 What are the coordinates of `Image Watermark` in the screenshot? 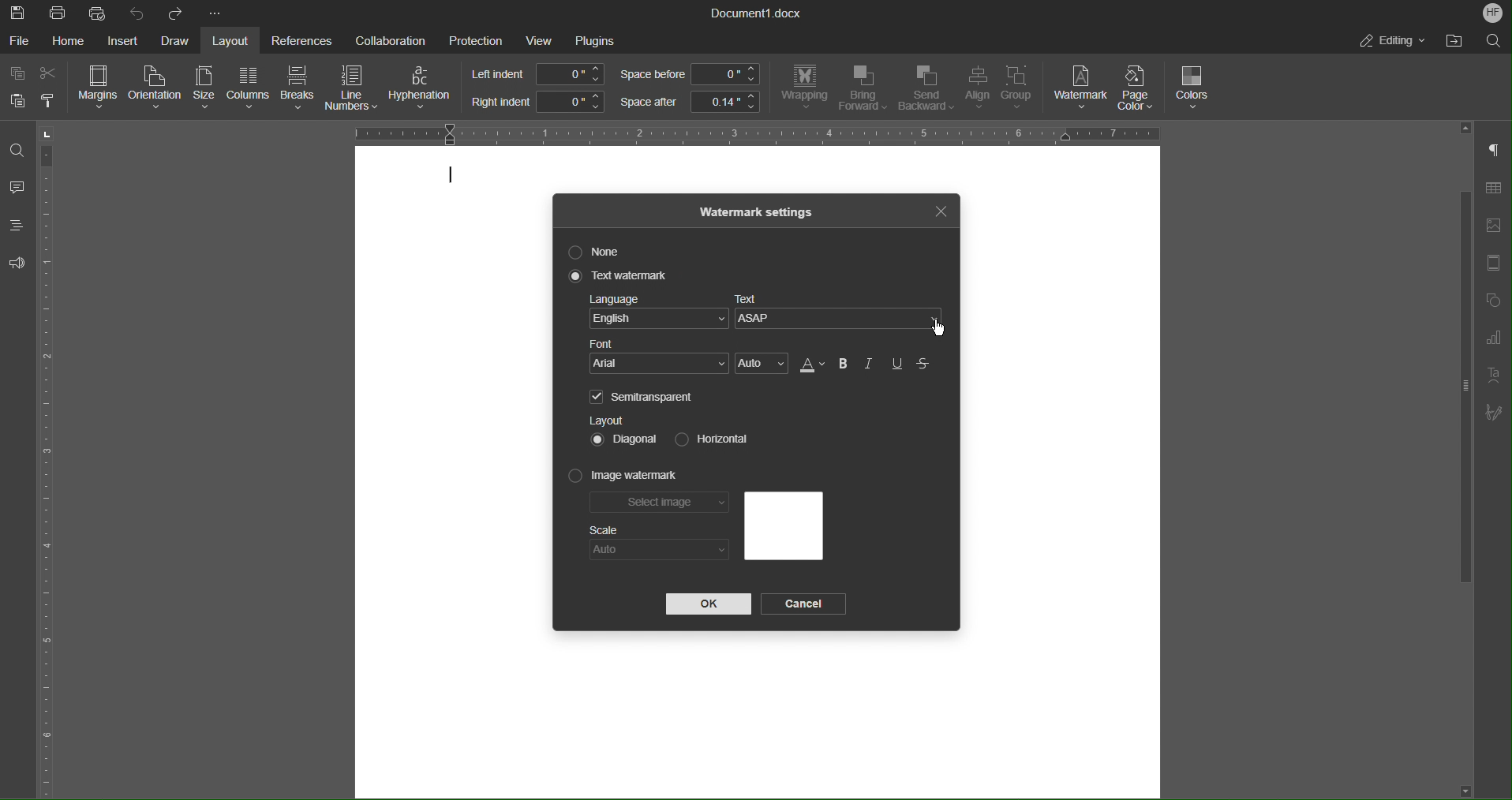 It's located at (624, 477).